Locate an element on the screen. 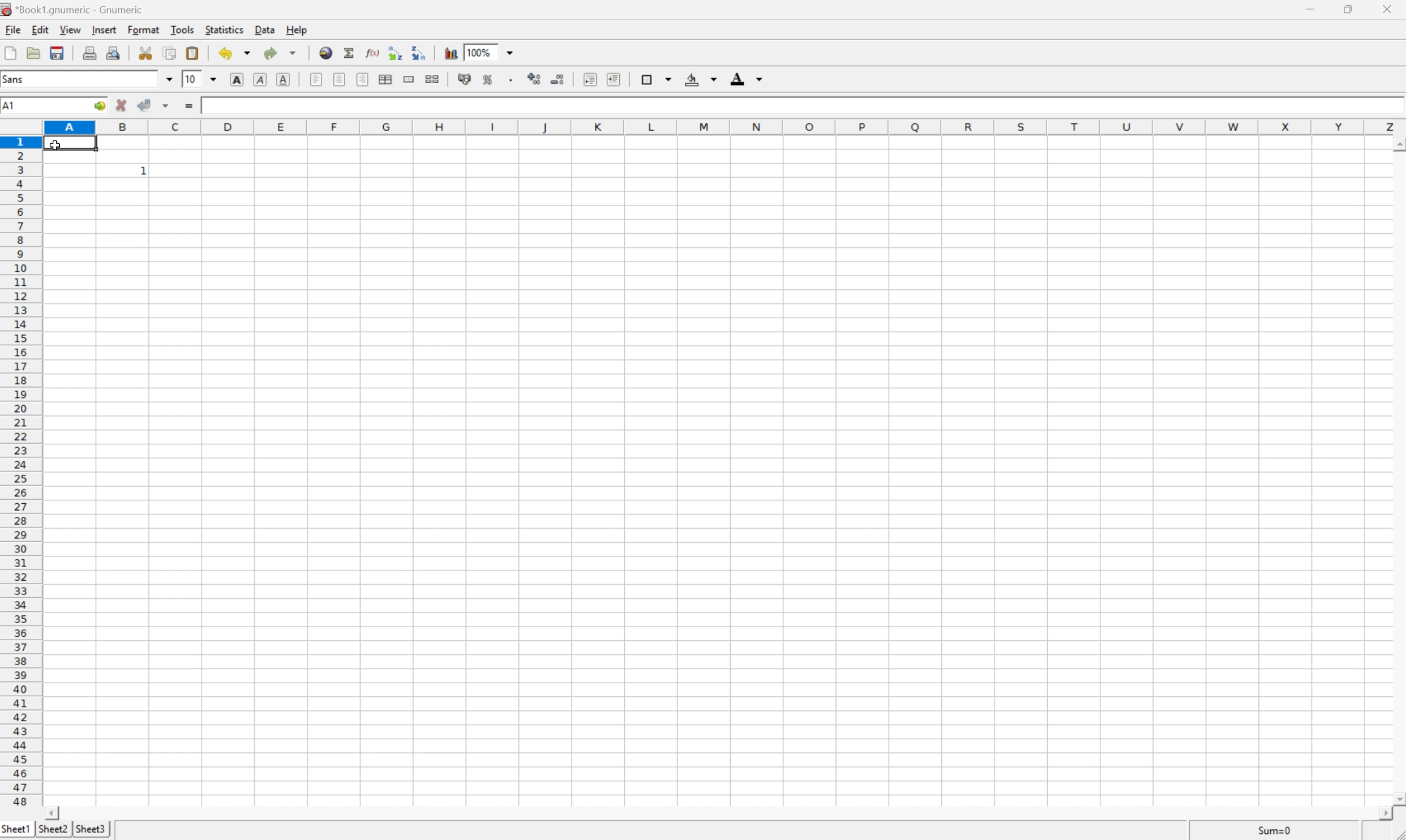  paste is located at coordinates (194, 53).